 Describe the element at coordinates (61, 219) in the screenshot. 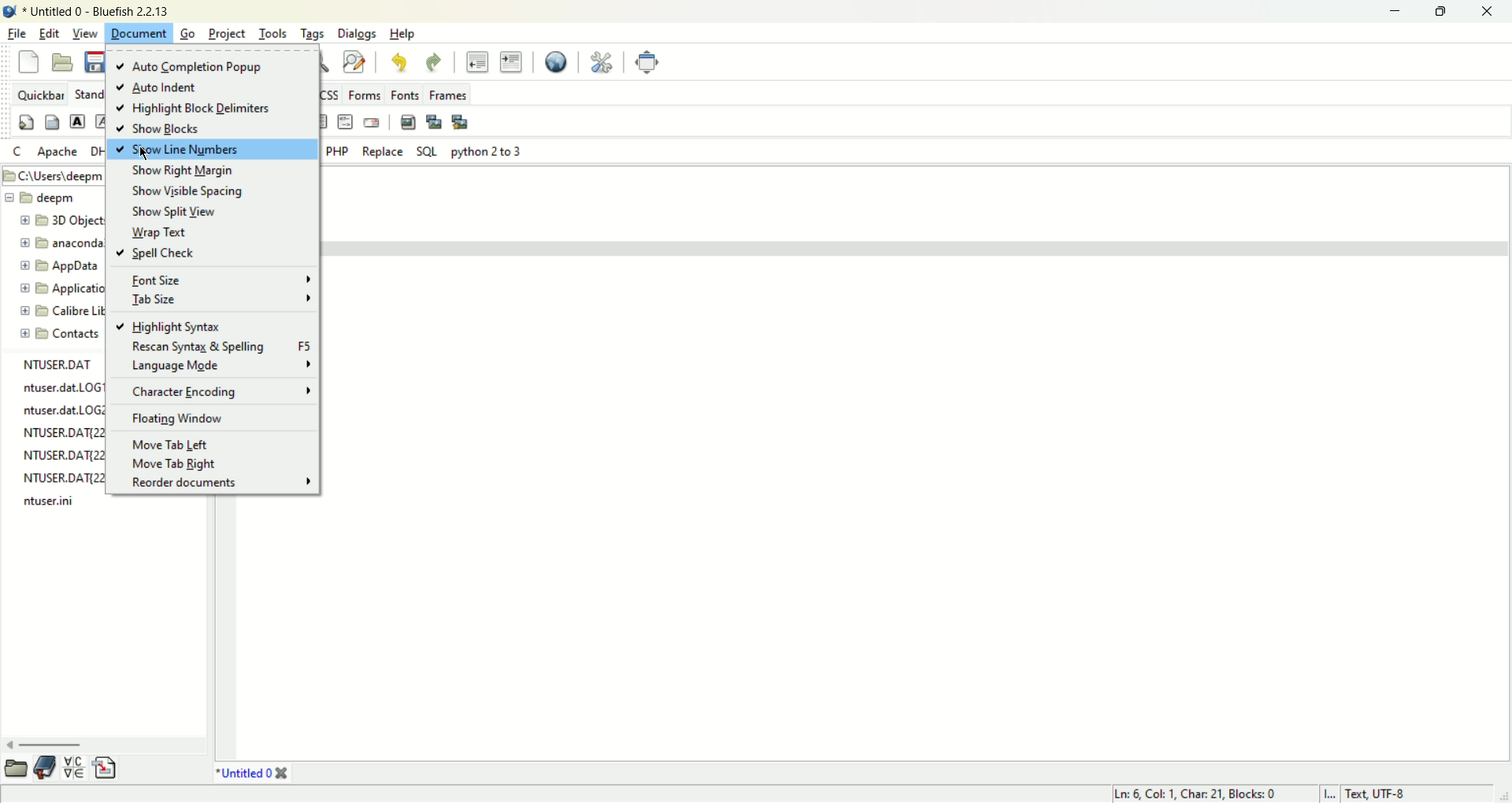

I see `3D object` at that location.